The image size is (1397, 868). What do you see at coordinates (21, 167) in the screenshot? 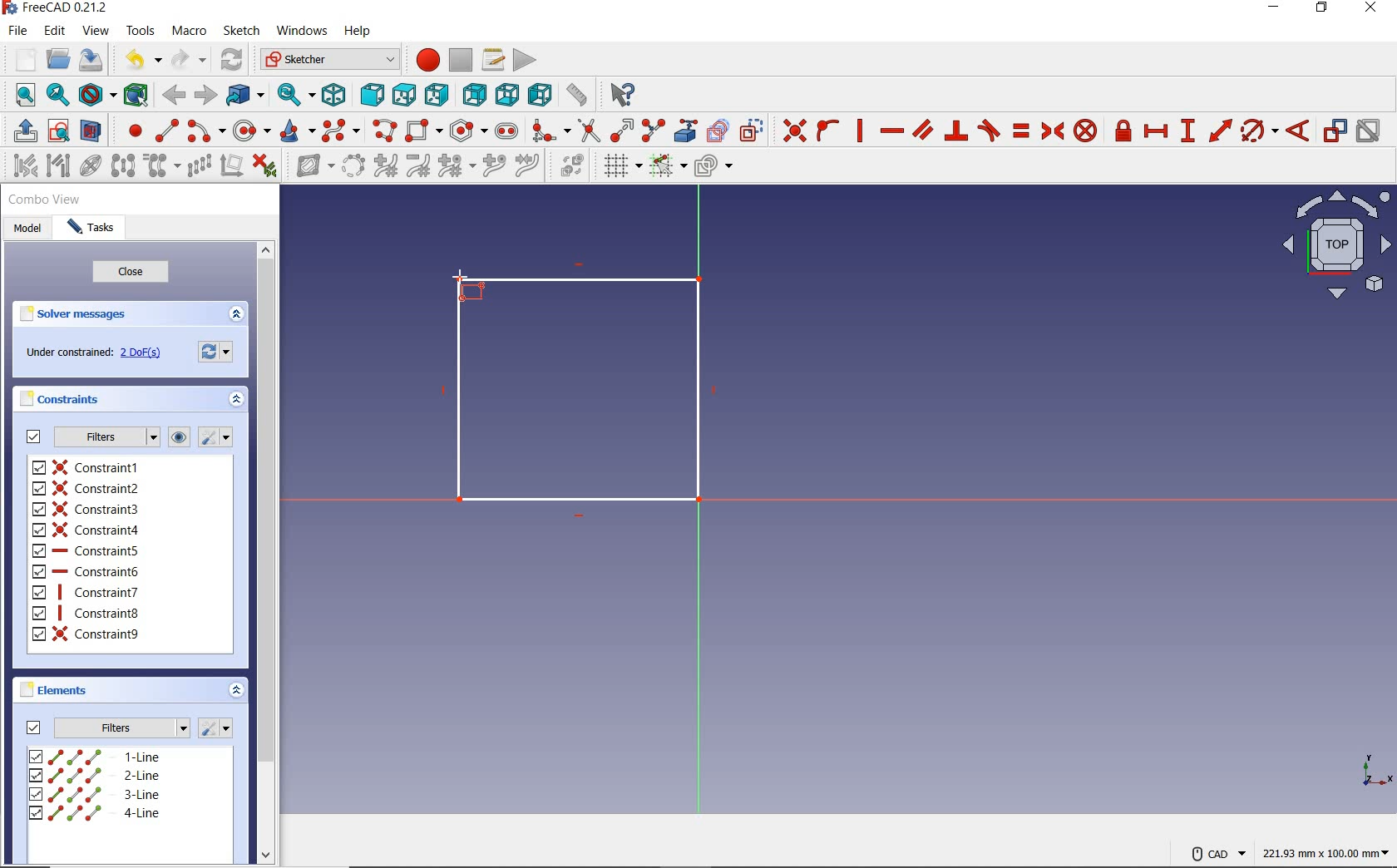
I see `select associated constraints` at bounding box center [21, 167].